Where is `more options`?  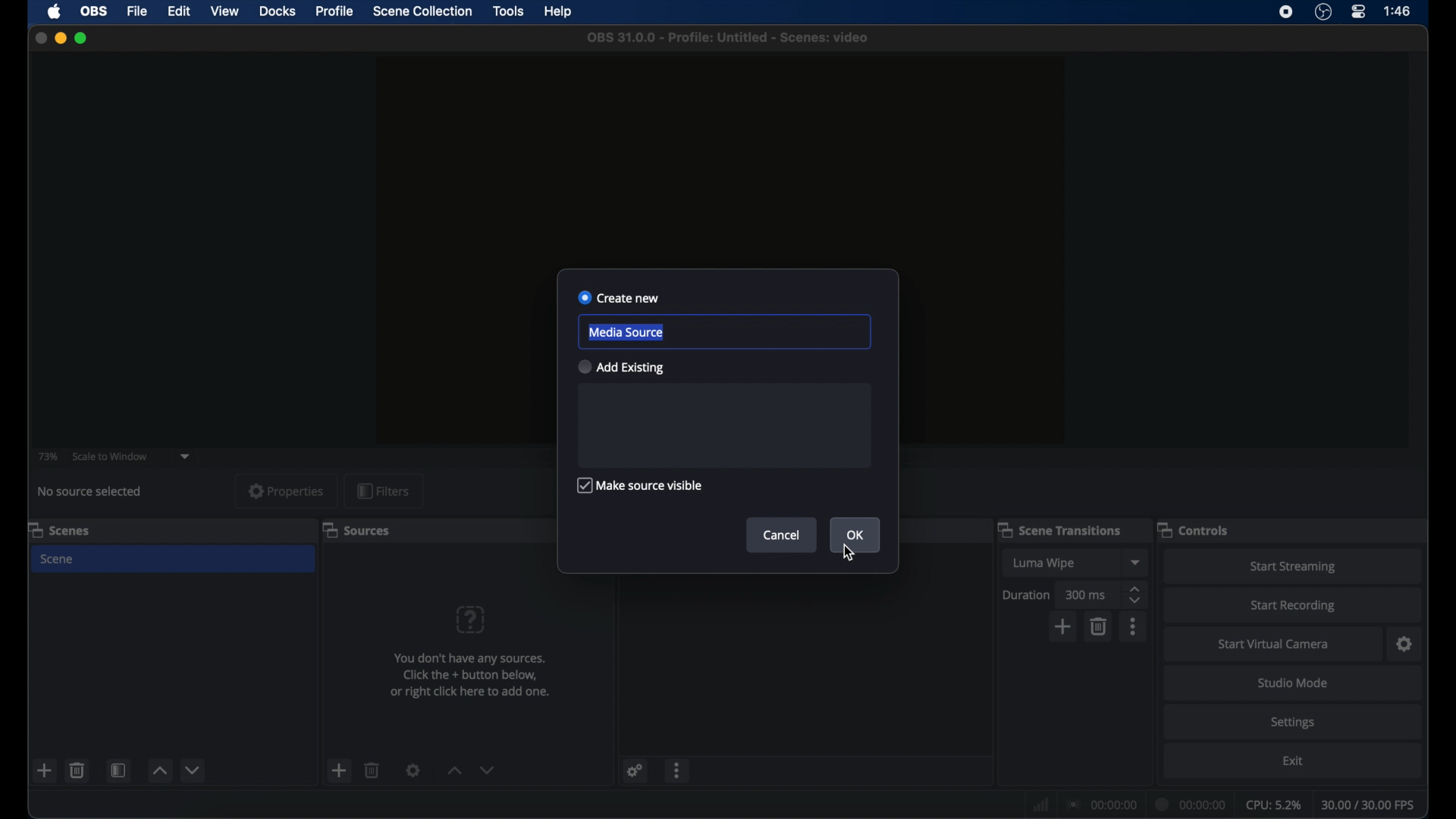 more options is located at coordinates (1134, 626).